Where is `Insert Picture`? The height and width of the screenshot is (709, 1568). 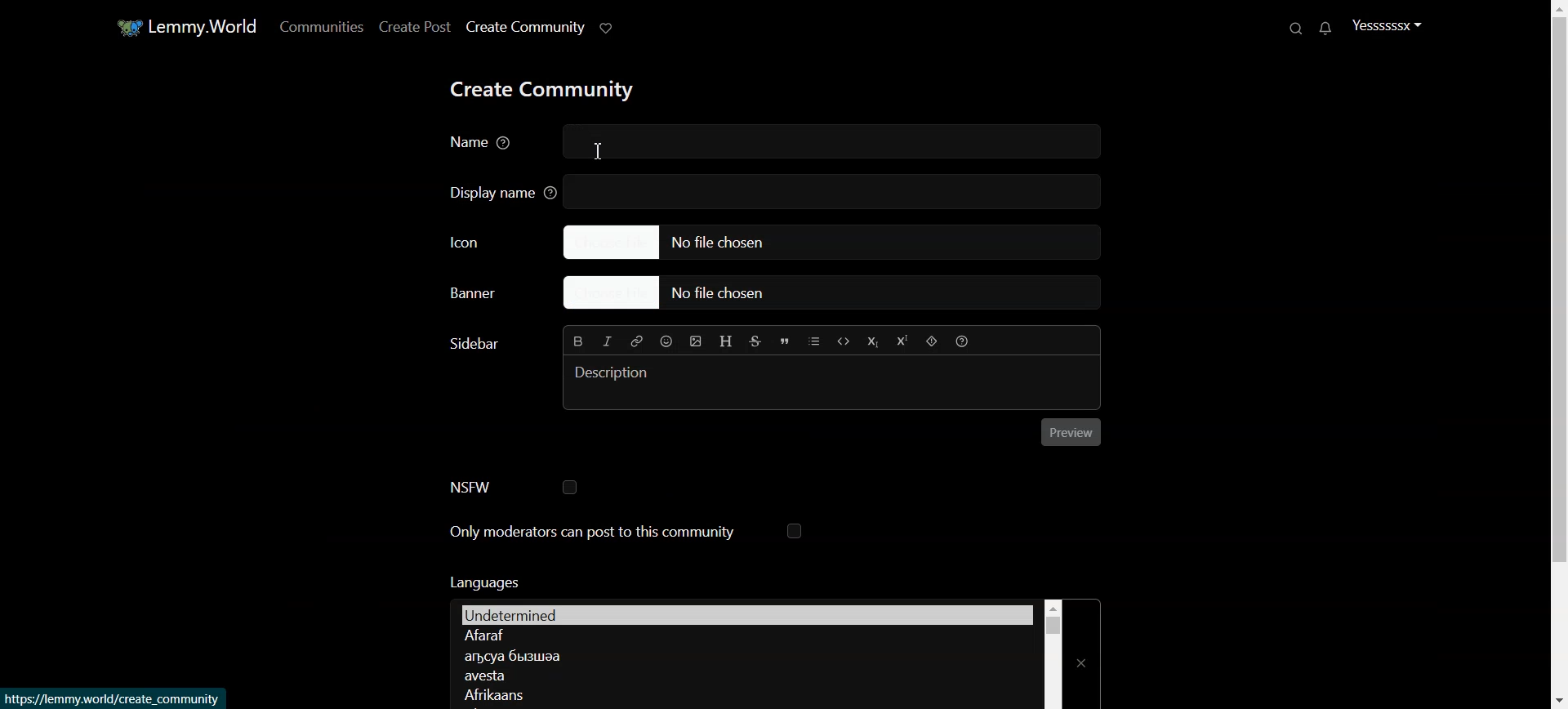
Insert Picture is located at coordinates (696, 341).